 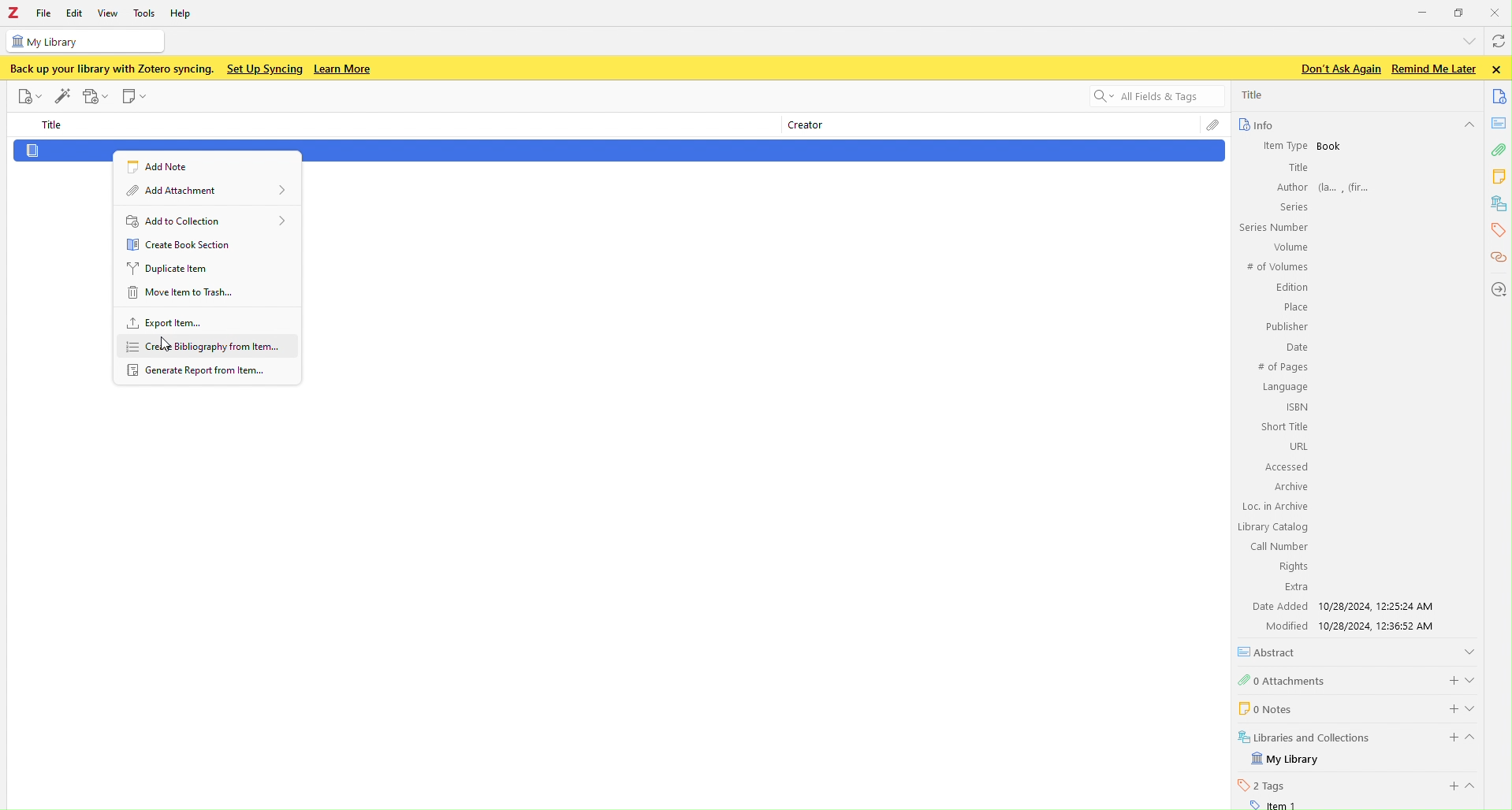 What do you see at coordinates (1280, 626) in the screenshot?
I see `‘Modified` at bounding box center [1280, 626].